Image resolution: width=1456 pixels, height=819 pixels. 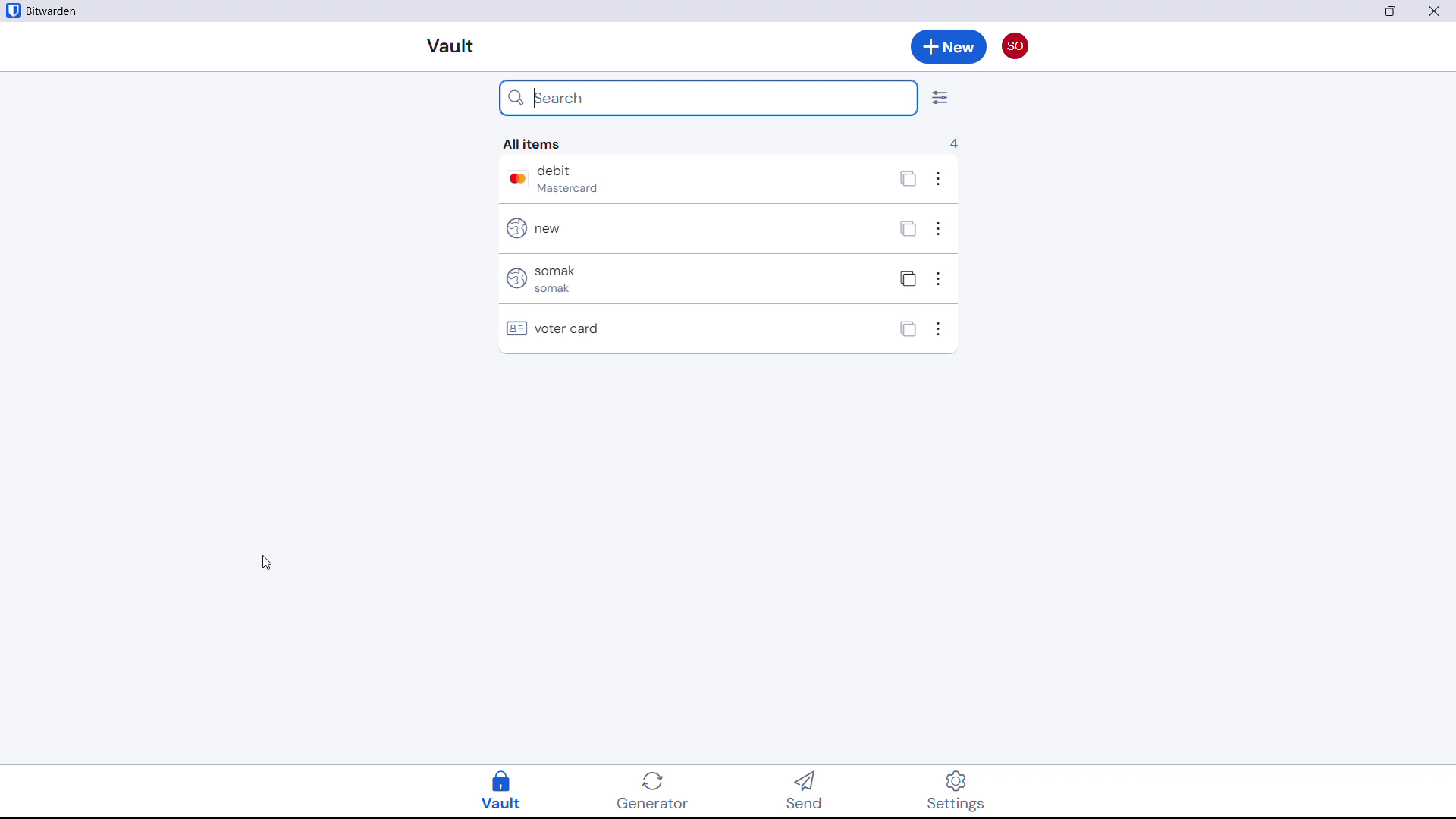 I want to click on Mastercard logo, so click(x=513, y=178).